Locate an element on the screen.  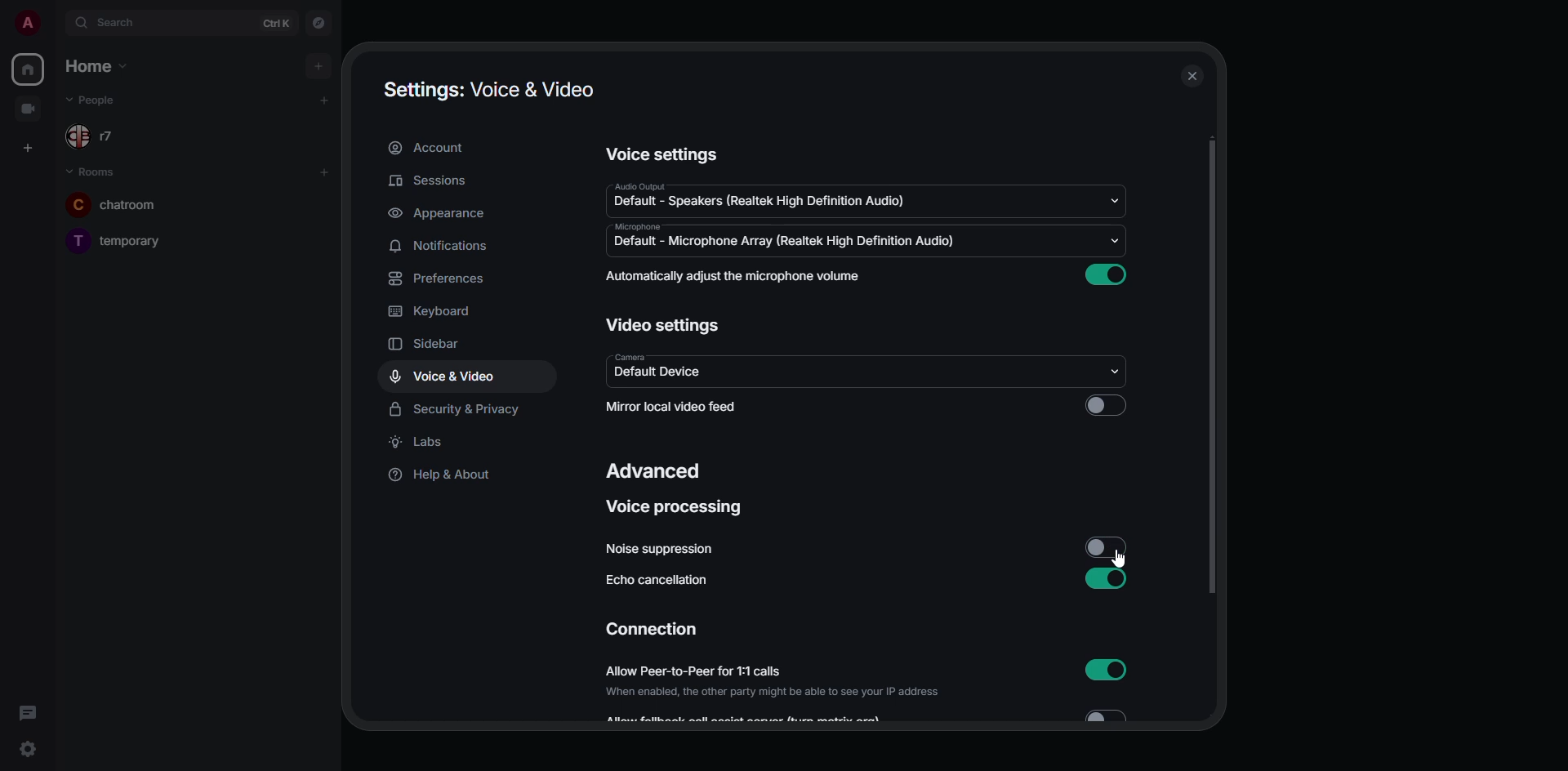
profile is located at coordinates (28, 24).